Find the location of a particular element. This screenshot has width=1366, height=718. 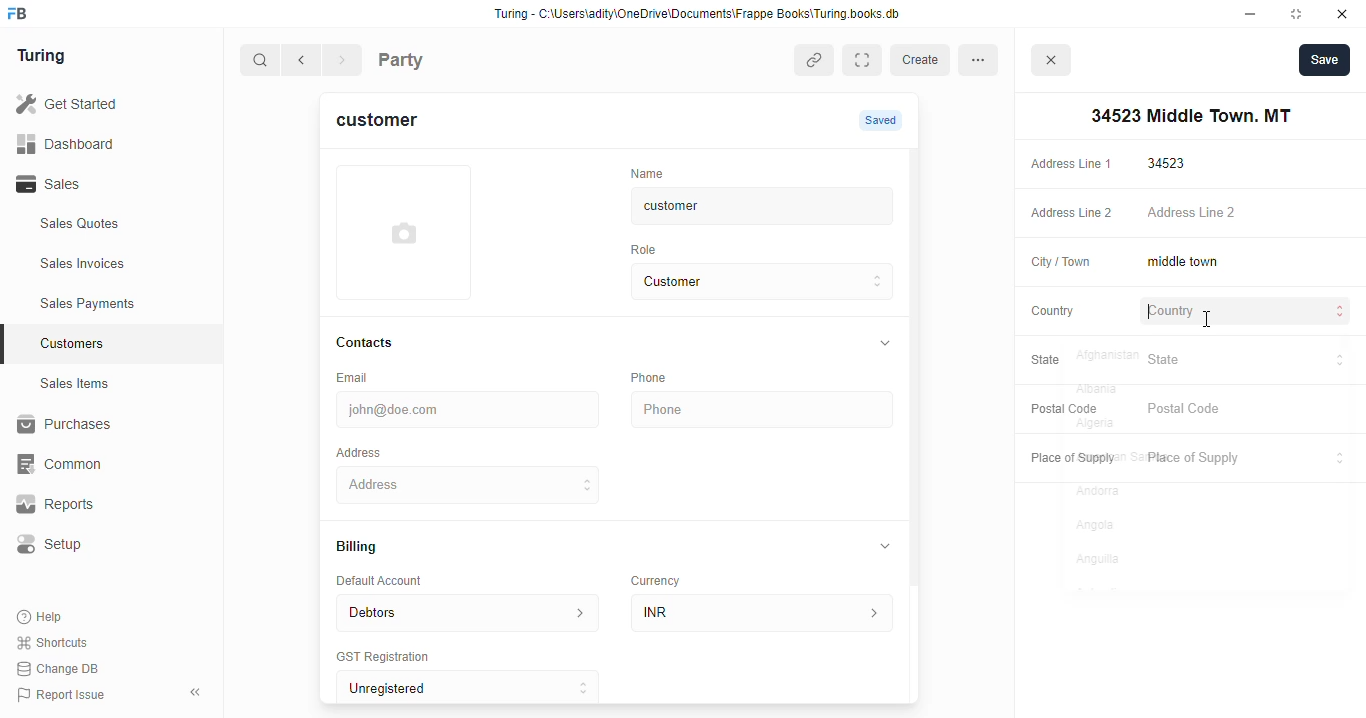

Sales Invoices is located at coordinates (117, 264).